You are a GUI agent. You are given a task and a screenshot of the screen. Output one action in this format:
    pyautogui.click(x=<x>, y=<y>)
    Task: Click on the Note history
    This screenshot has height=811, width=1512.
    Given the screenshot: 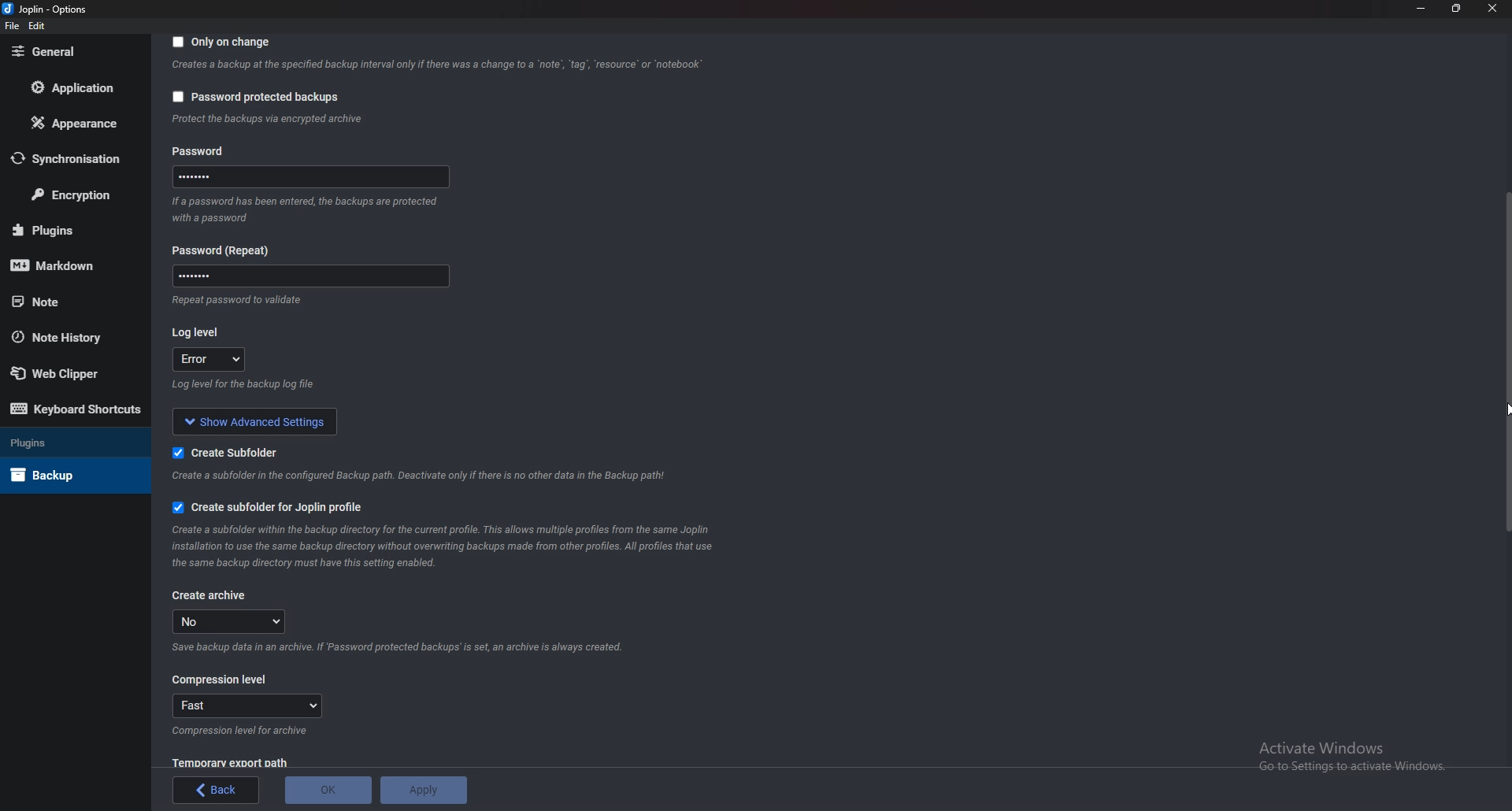 What is the action you would take?
    pyautogui.click(x=69, y=336)
    